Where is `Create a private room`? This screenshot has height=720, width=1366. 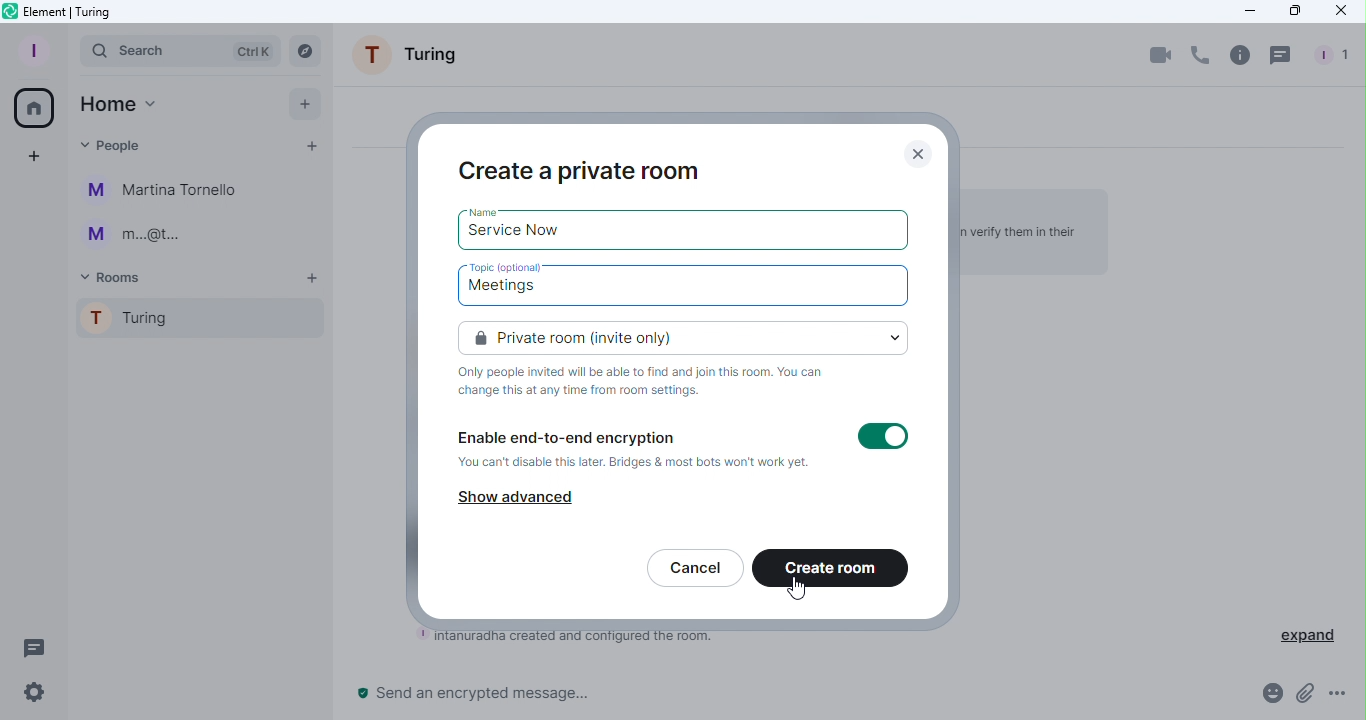 Create a private room is located at coordinates (582, 169).